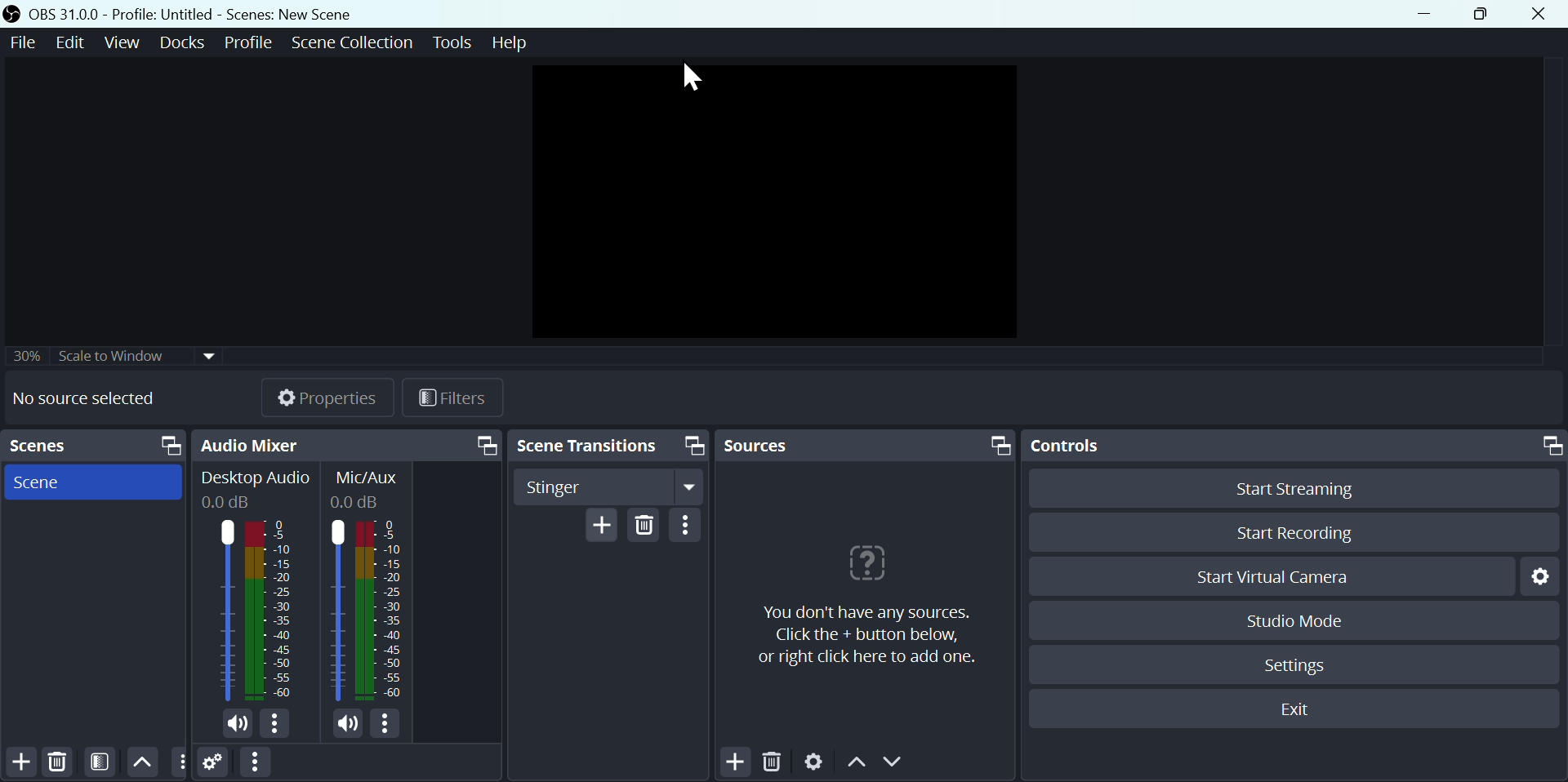  What do you see at coordinates (1298, 711) in the screenshot?
I see `Exit` at bounding box center [1298, 711].